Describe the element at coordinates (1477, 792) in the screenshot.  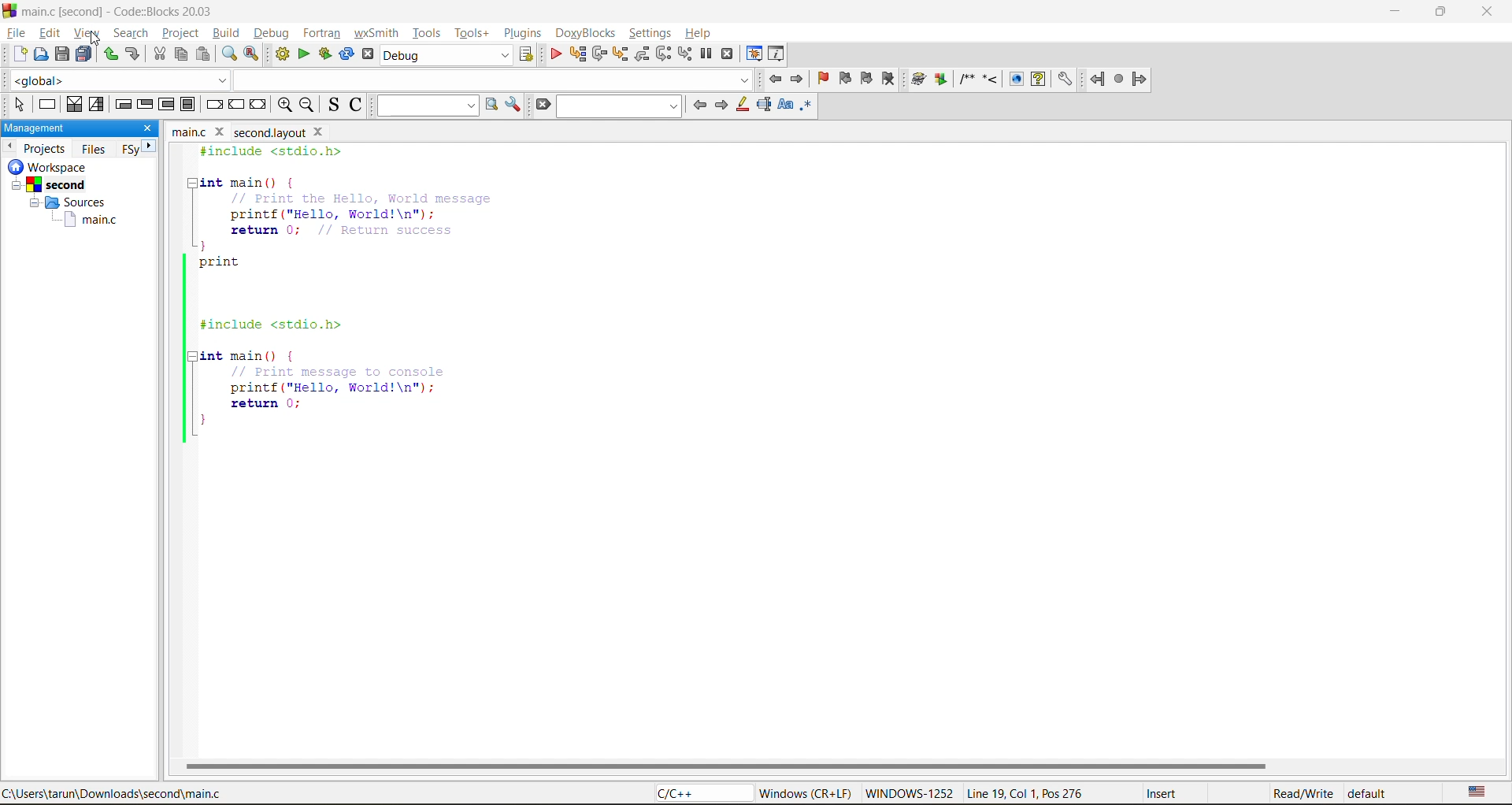
I see `text language` at that location.